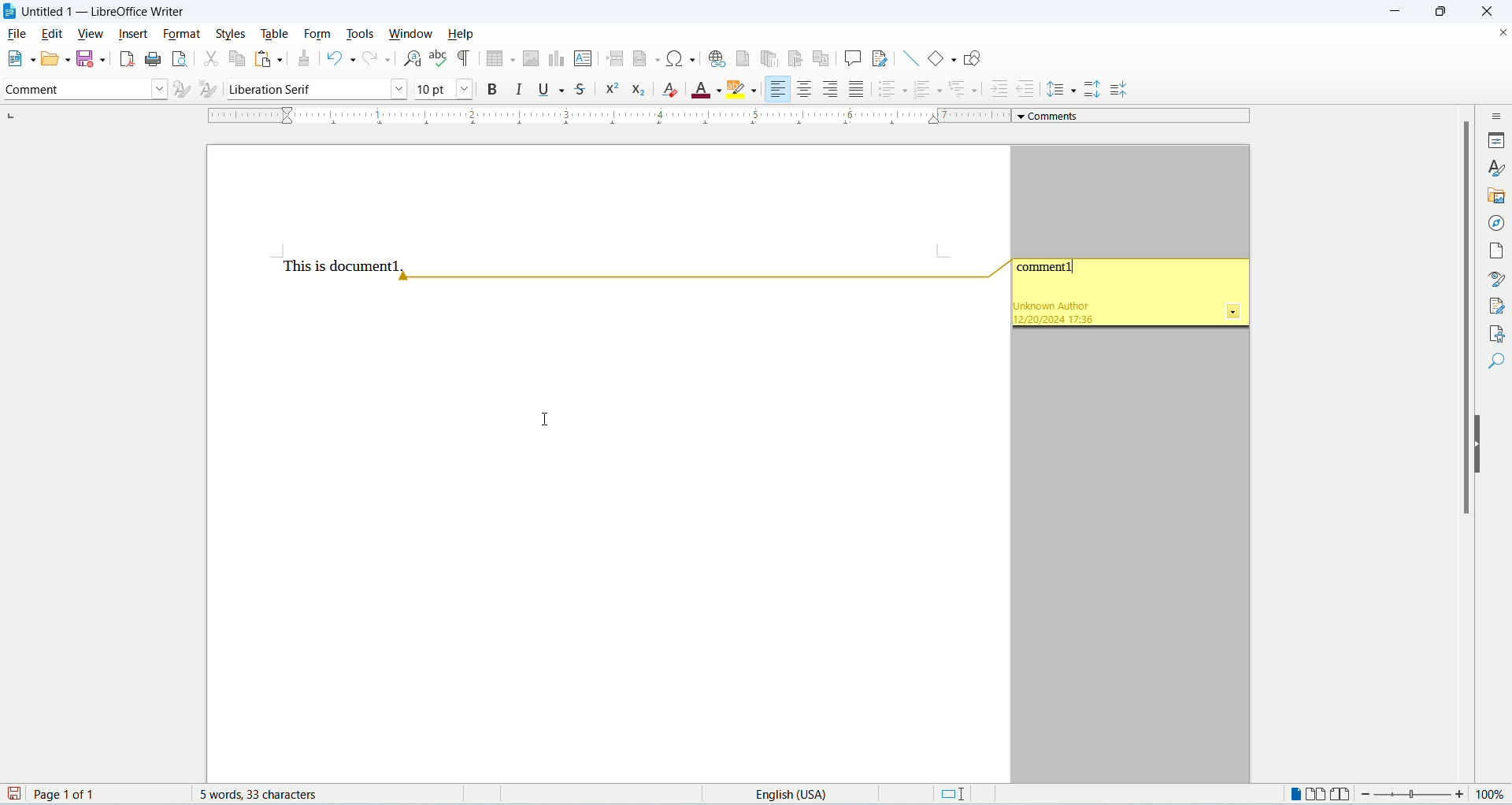 This screenshot has height=805, width=1512. What do you see at coordinates (415, 35) in the screenshot?
I see `window` at bounding box center [415, 35].